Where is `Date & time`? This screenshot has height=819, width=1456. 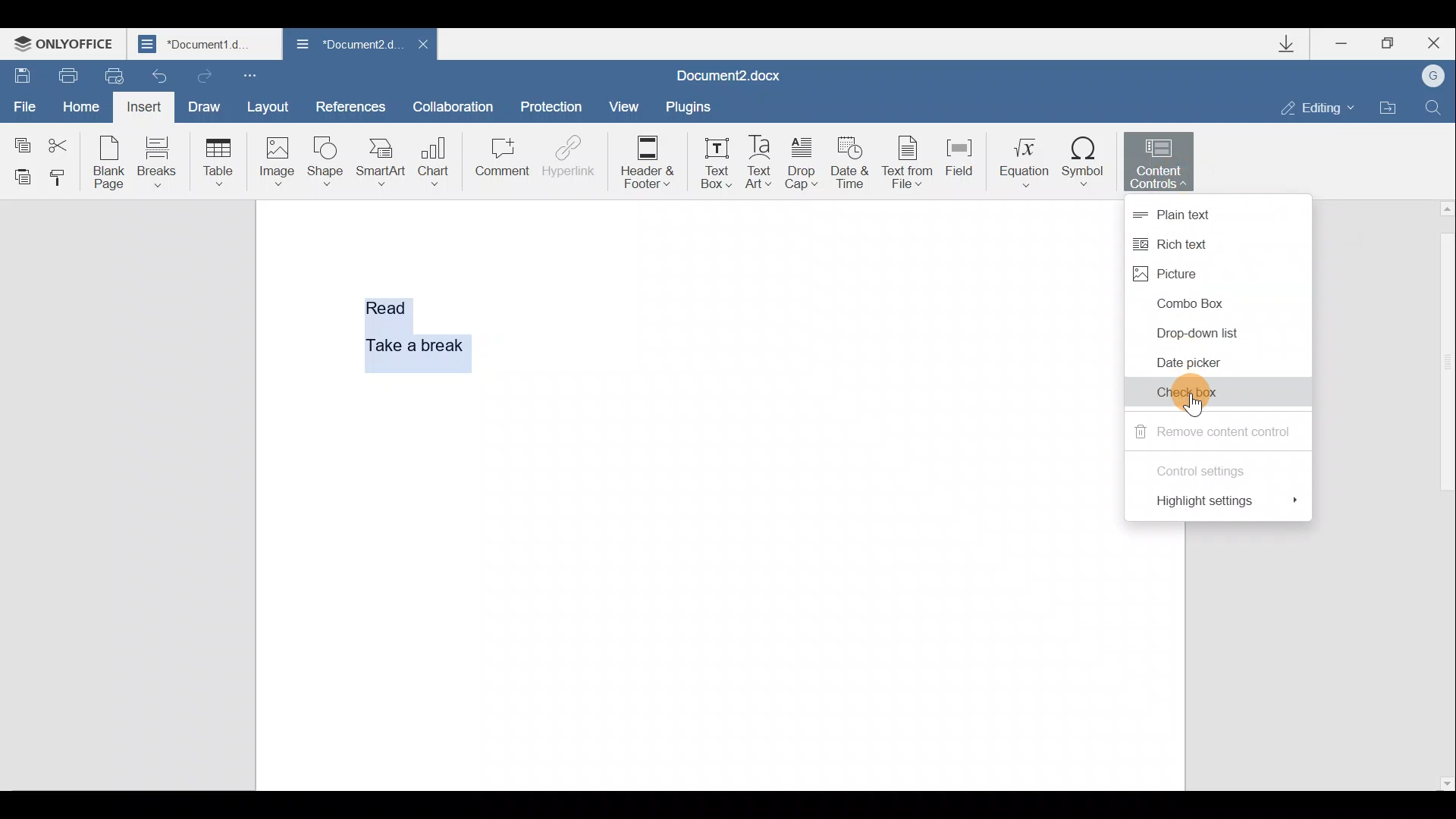
Date & time is located at coordinates (850, 167).